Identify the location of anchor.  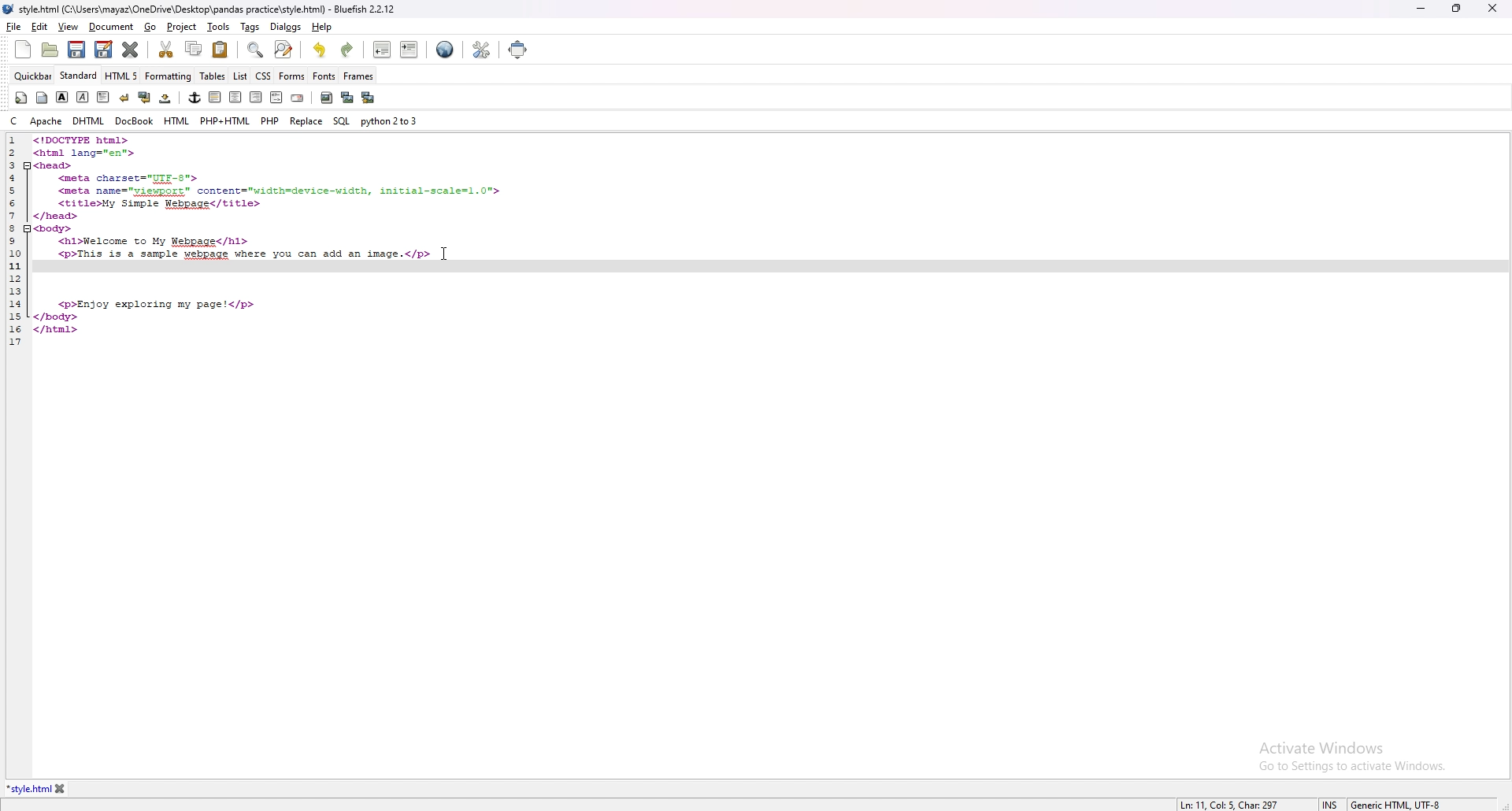
(195, 98).